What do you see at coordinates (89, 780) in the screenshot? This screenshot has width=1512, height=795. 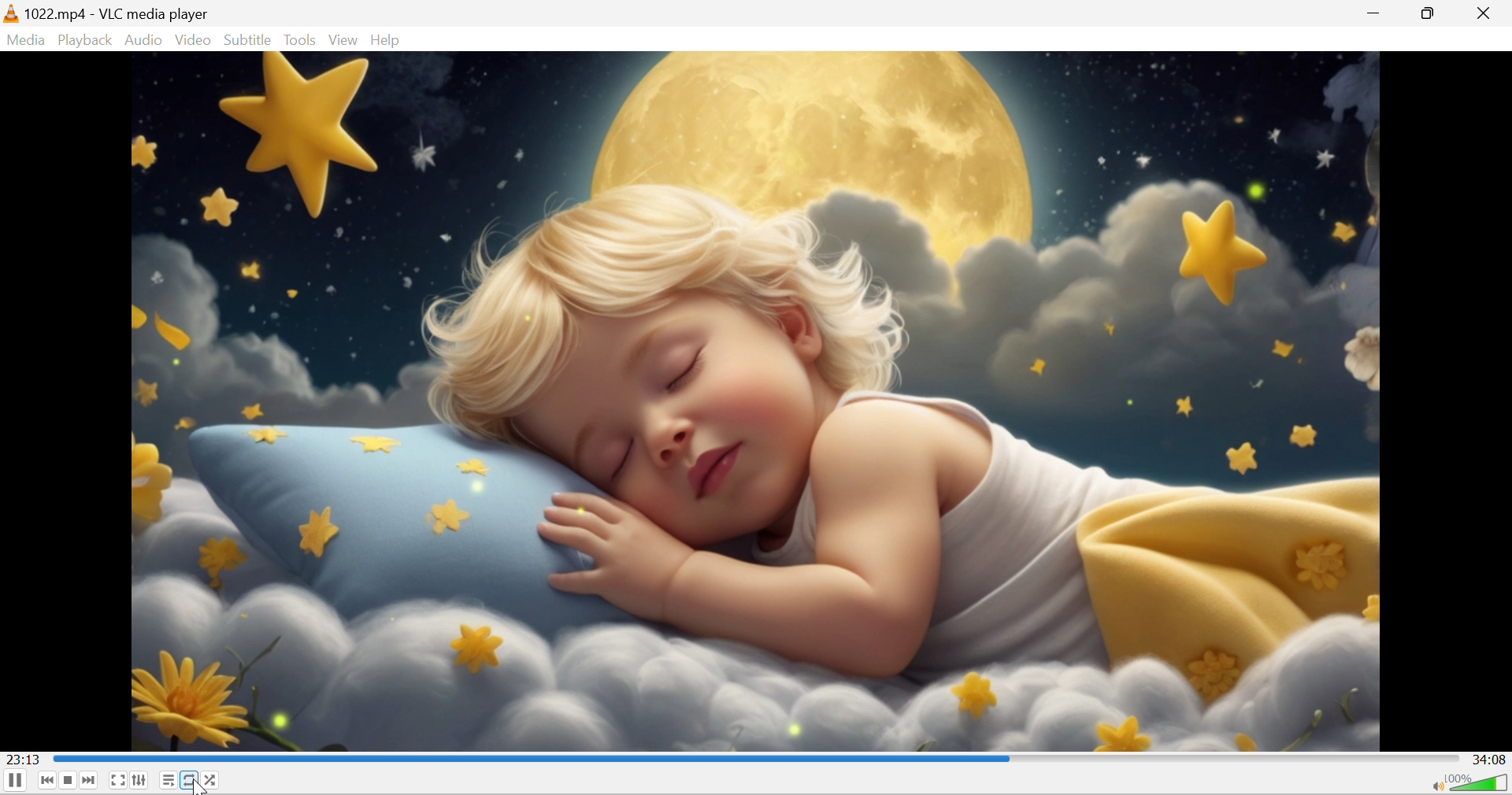 I see `Next media in the playlist, skip forward when held` at bounding box center [89, 780].